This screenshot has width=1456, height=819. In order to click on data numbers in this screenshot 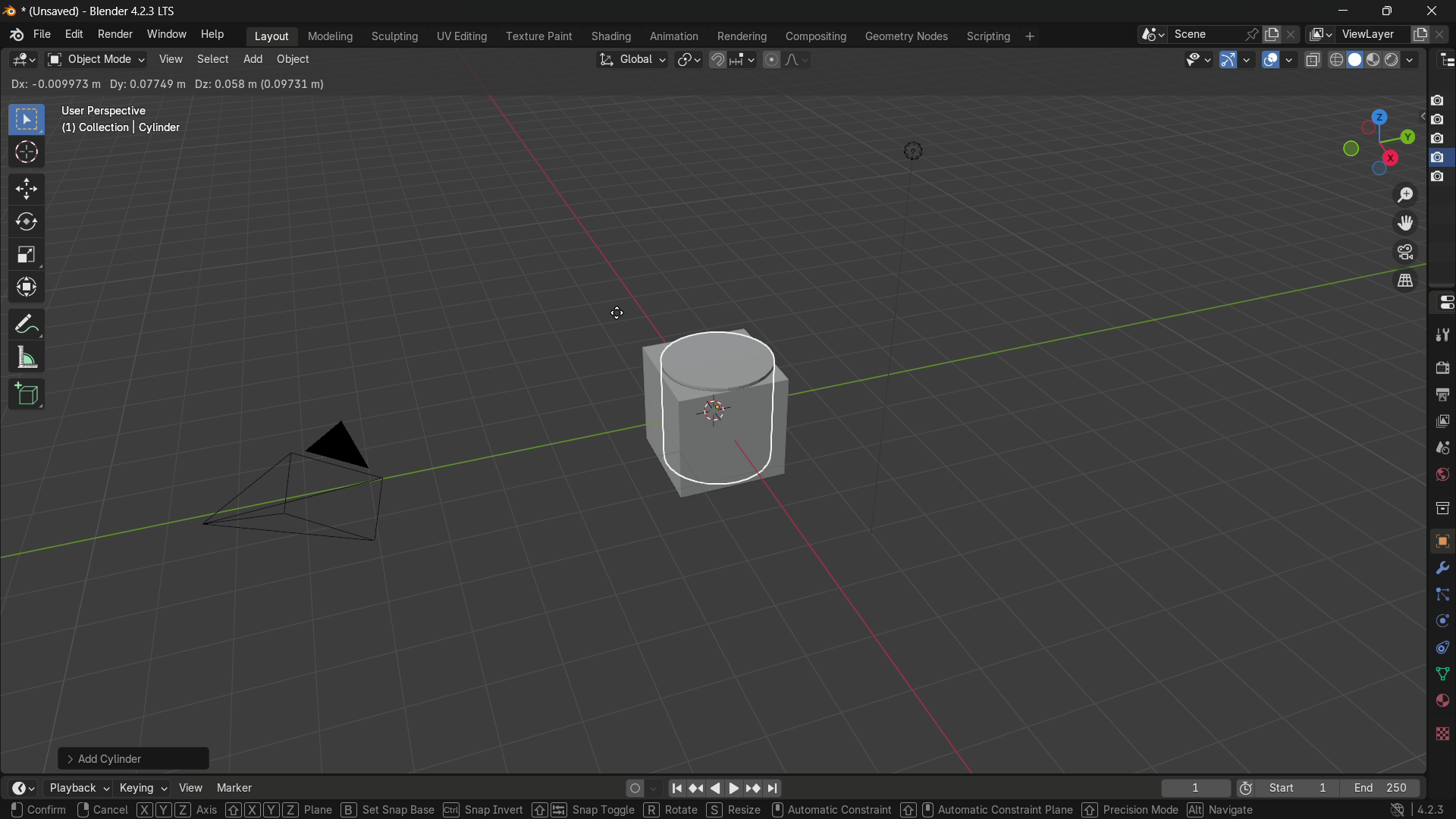, I will do `click(165, 84)`.